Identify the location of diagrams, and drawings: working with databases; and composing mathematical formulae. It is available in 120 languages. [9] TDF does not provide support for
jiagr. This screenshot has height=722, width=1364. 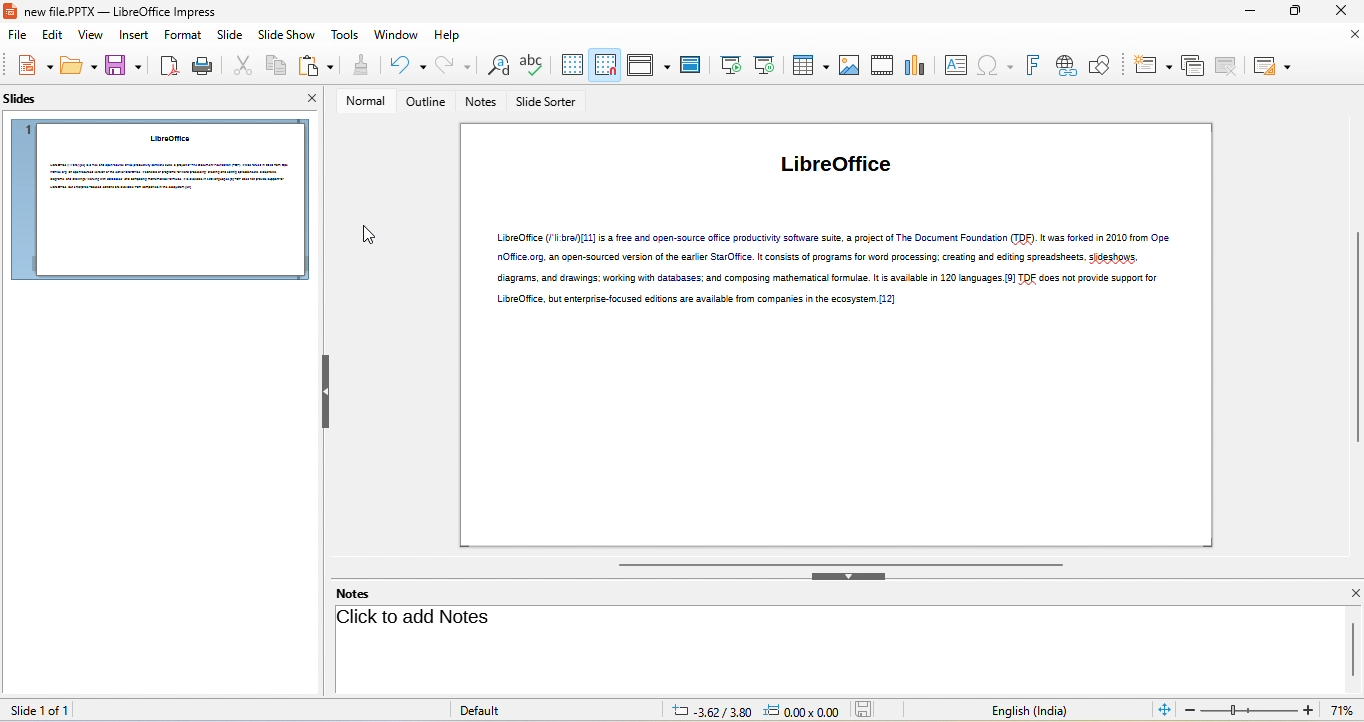
(829, 278).